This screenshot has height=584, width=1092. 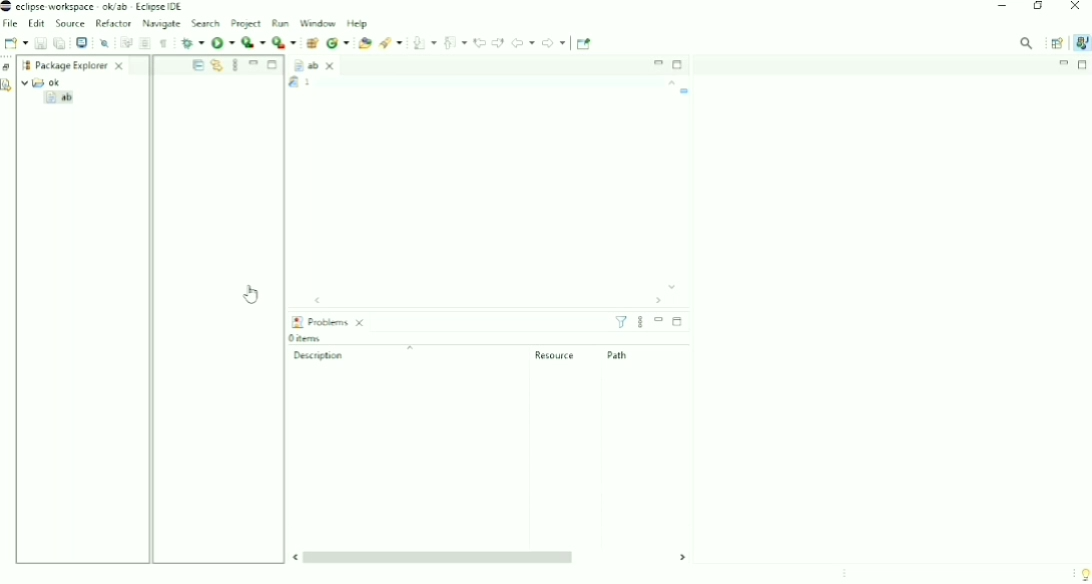 What do you see at coordinates (365, 43) in the screenshot?
I see `Open Type` at bounding box center [365, 43].